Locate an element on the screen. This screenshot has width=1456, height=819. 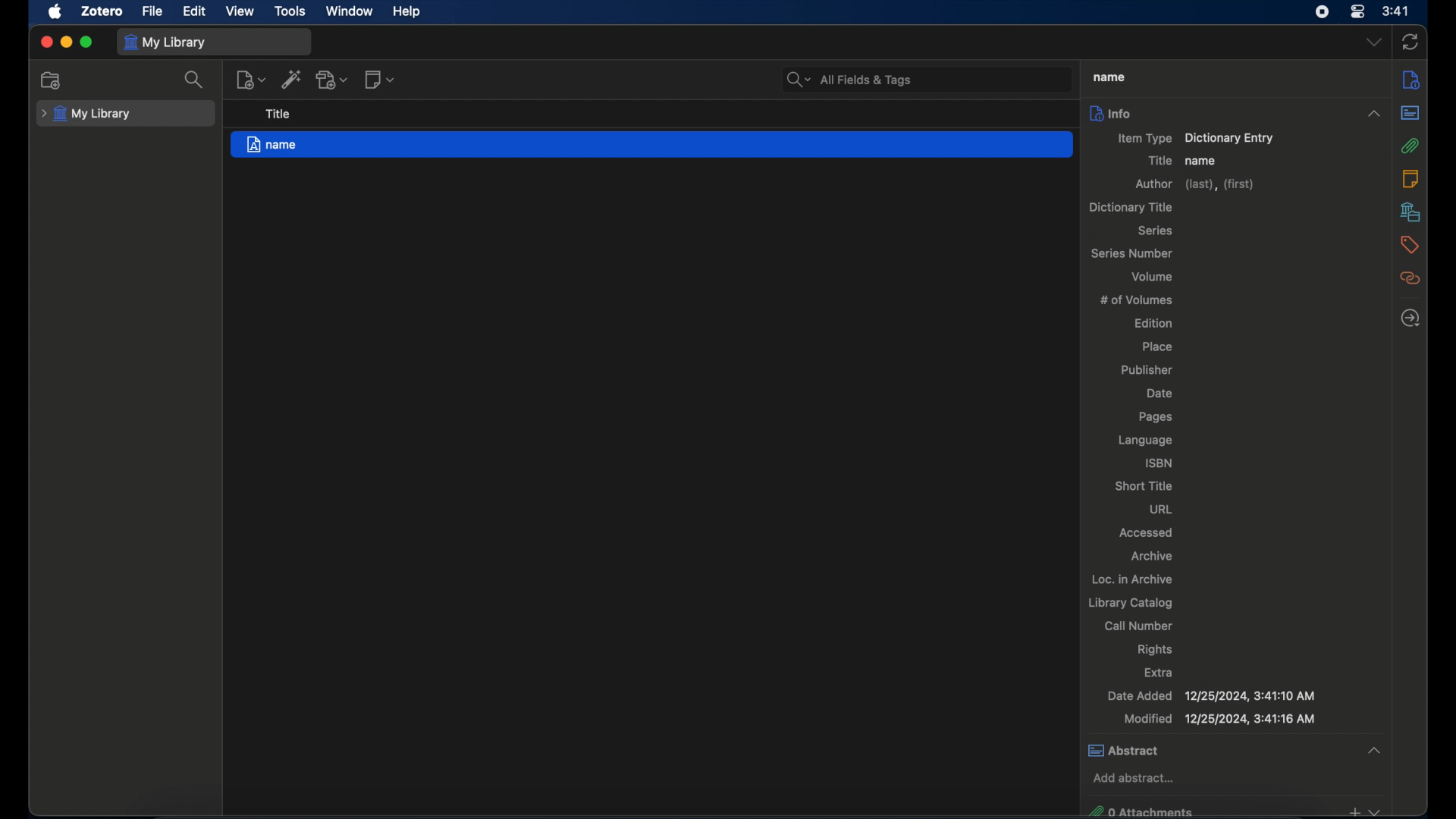
archive is located at coordinates (1153, 557).